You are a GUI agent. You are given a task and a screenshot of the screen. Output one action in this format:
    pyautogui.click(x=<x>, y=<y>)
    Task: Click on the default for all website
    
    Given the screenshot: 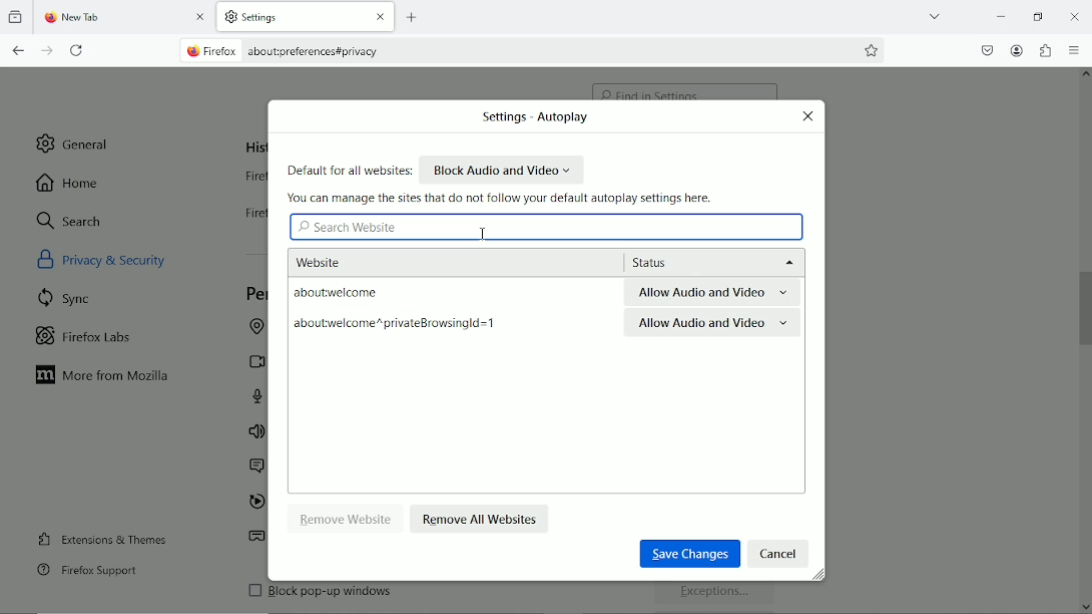 What is the action you would take?
    pyautogui.click(x=349, y=171)
    